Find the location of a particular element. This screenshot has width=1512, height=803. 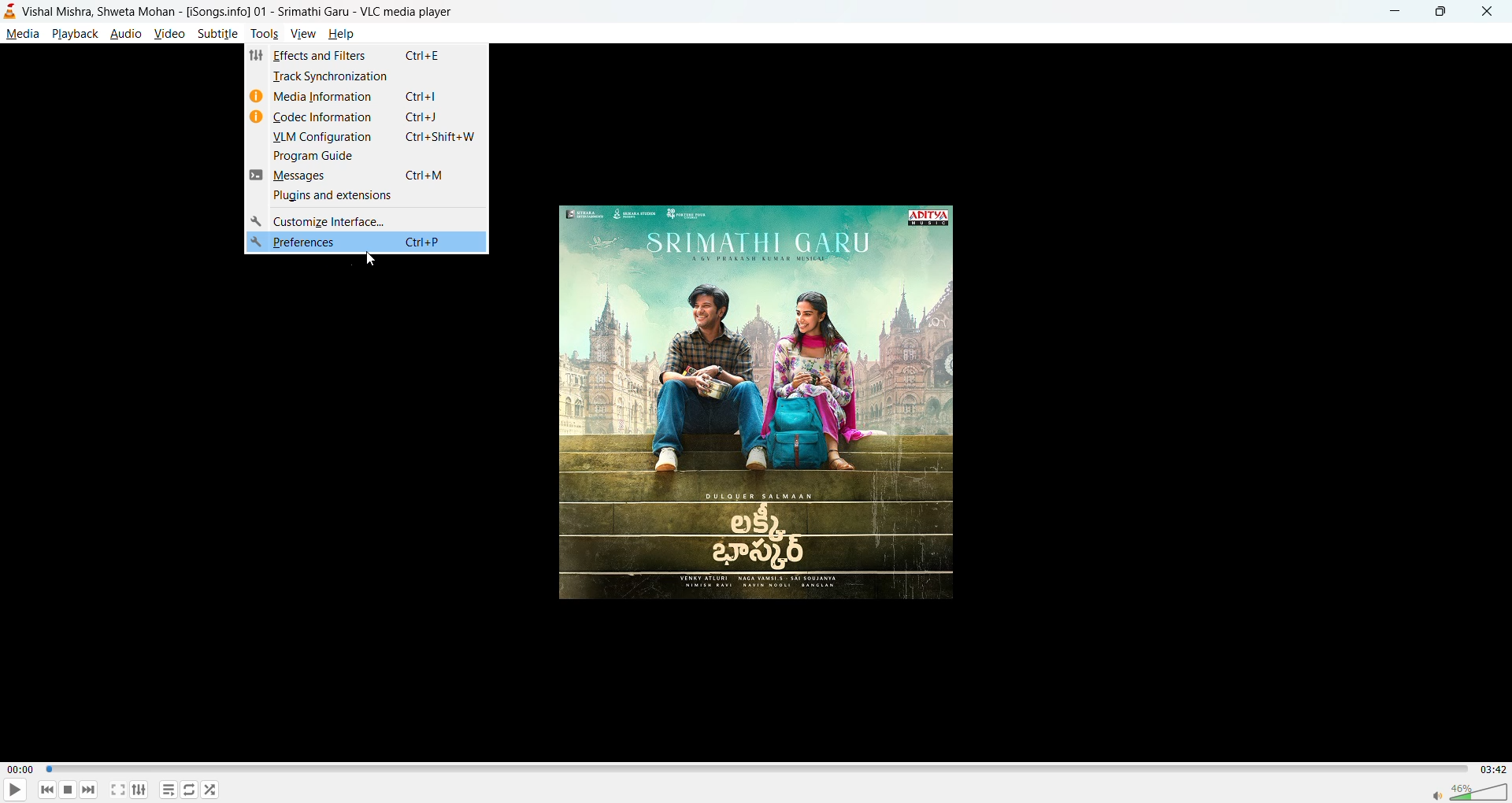

program guide is located at coordinates (317, 157).